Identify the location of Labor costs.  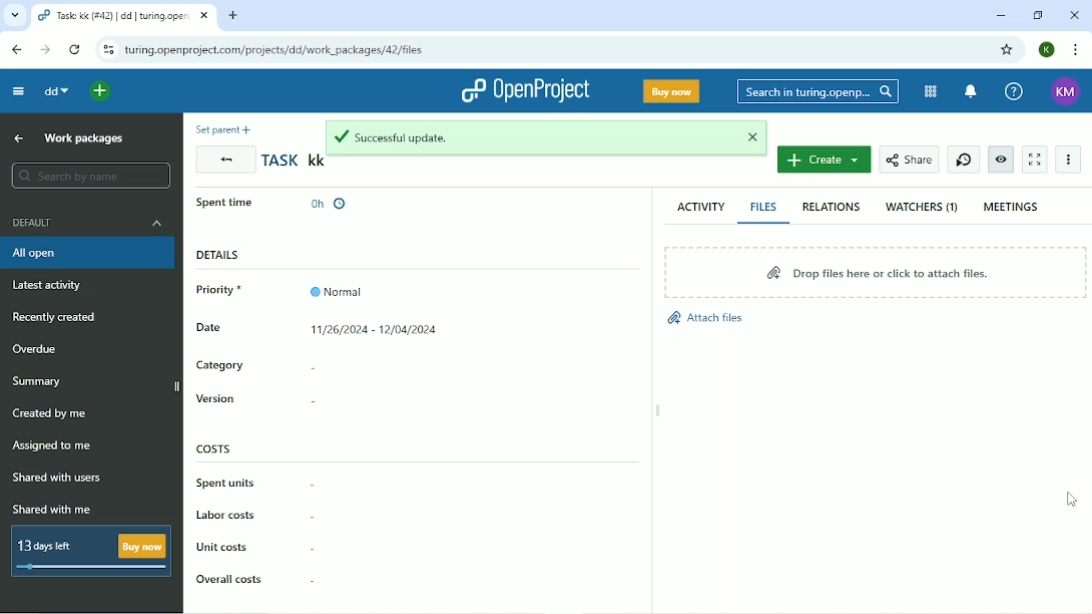
(253, 517).